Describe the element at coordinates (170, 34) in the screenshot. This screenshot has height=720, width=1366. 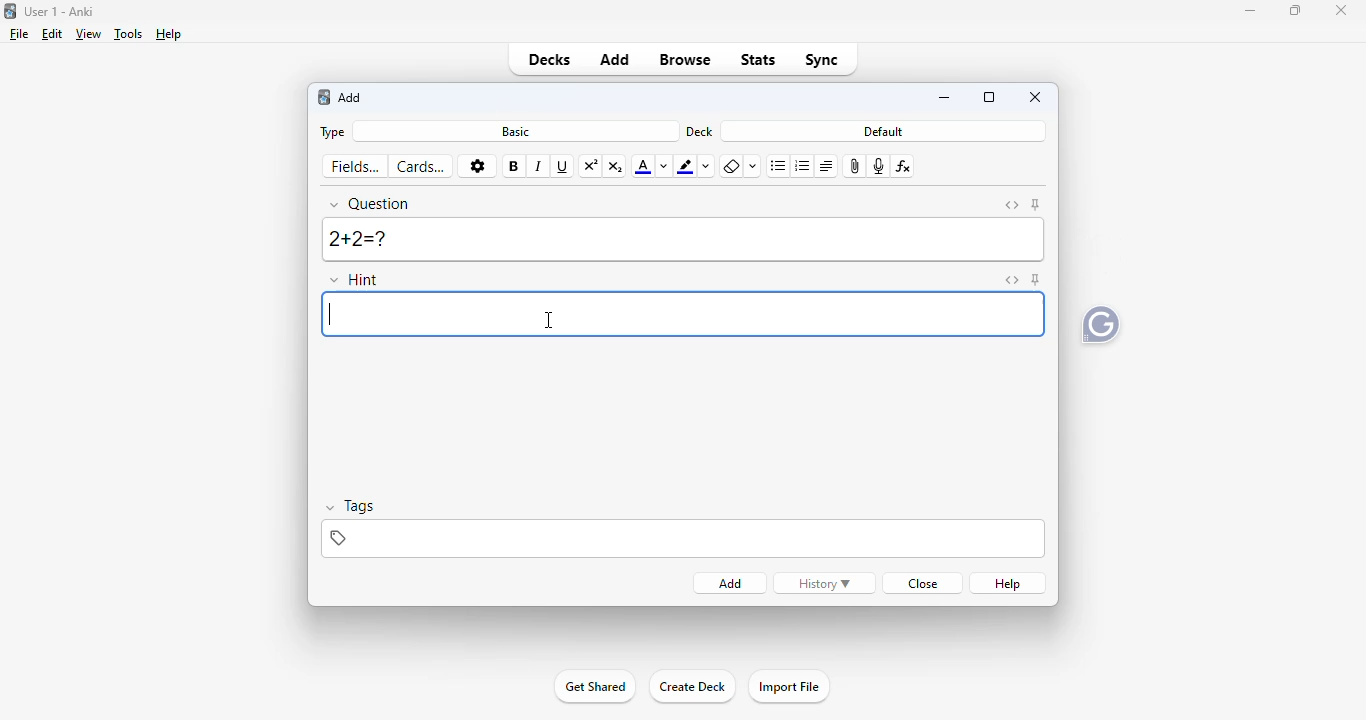
I see `help` at that location.